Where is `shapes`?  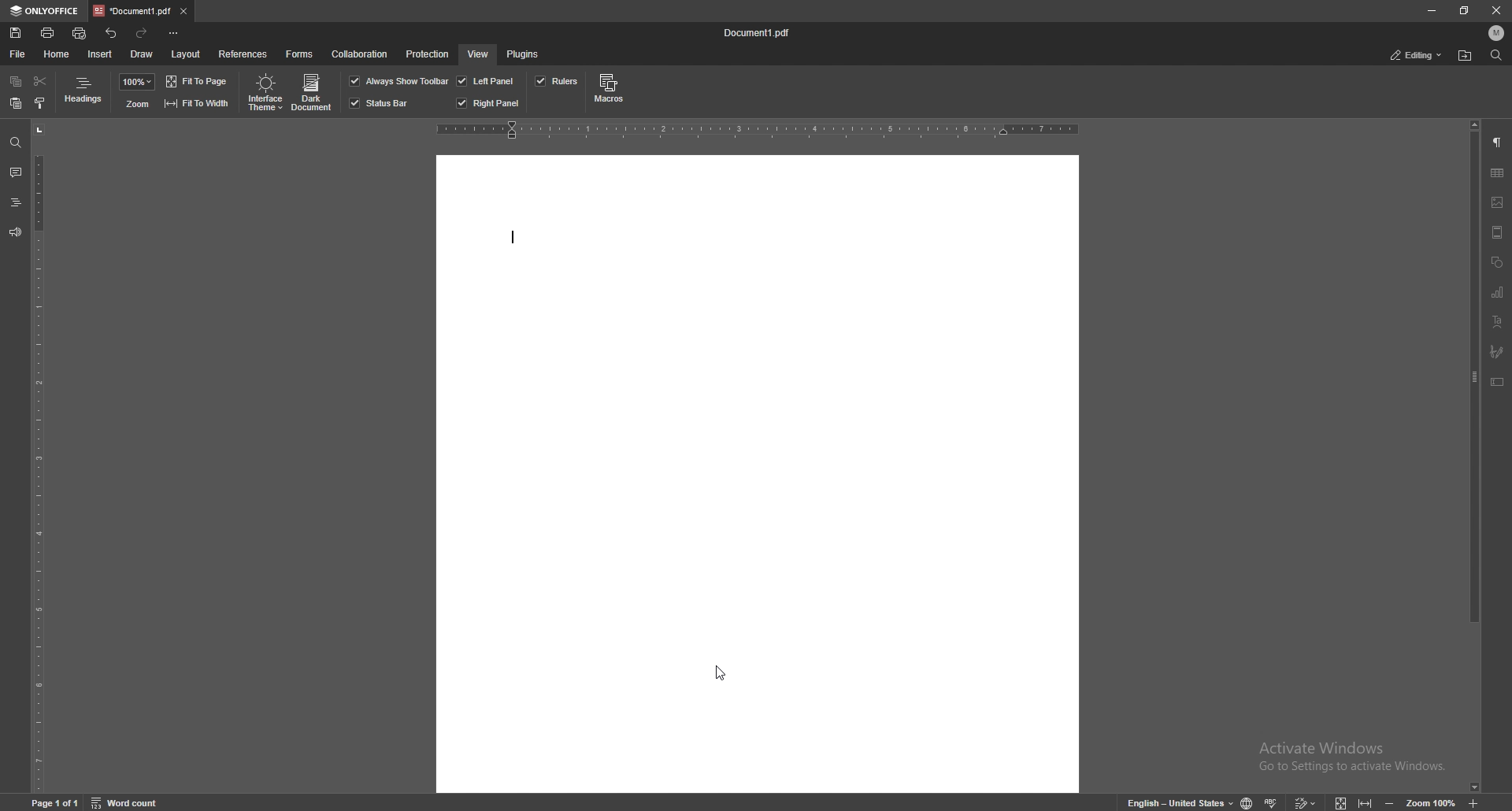 shapes is located at coordinates (1497, 261).